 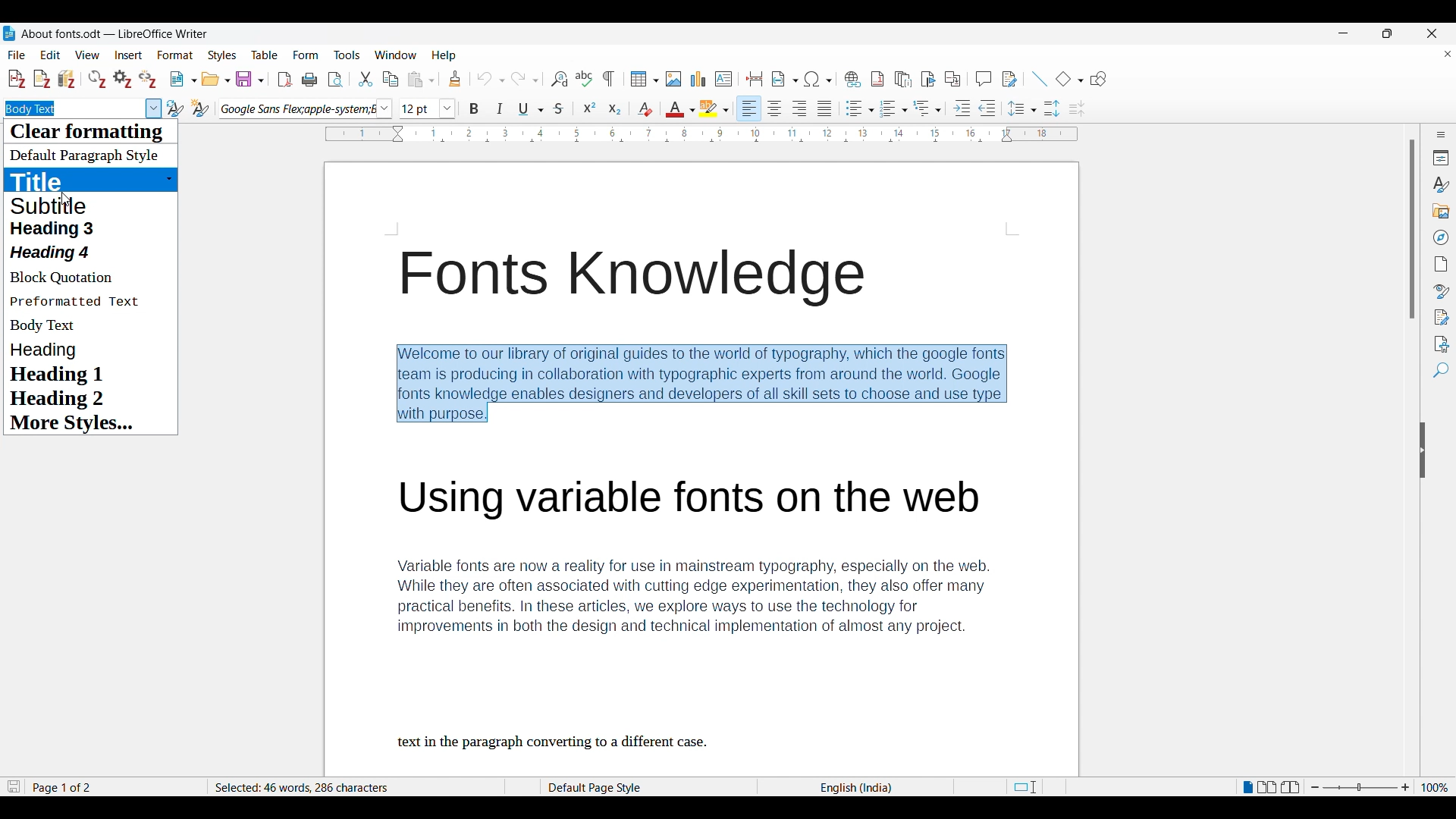 What do you see at coordinates (1441, 264) in the screenshot?
I see `Page` at bounding box center [1441, 264].